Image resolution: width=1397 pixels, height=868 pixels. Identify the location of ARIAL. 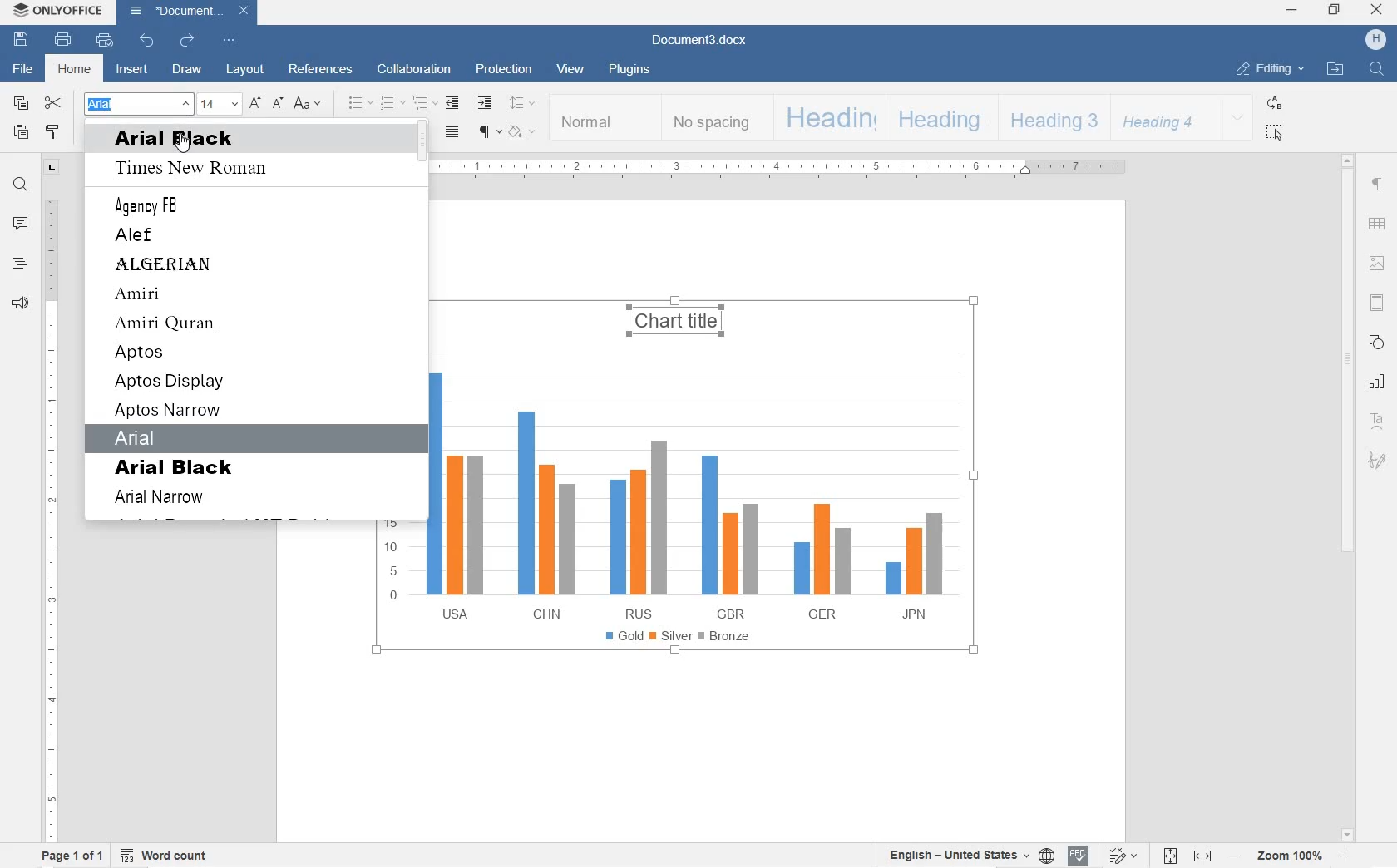
(146, 437).